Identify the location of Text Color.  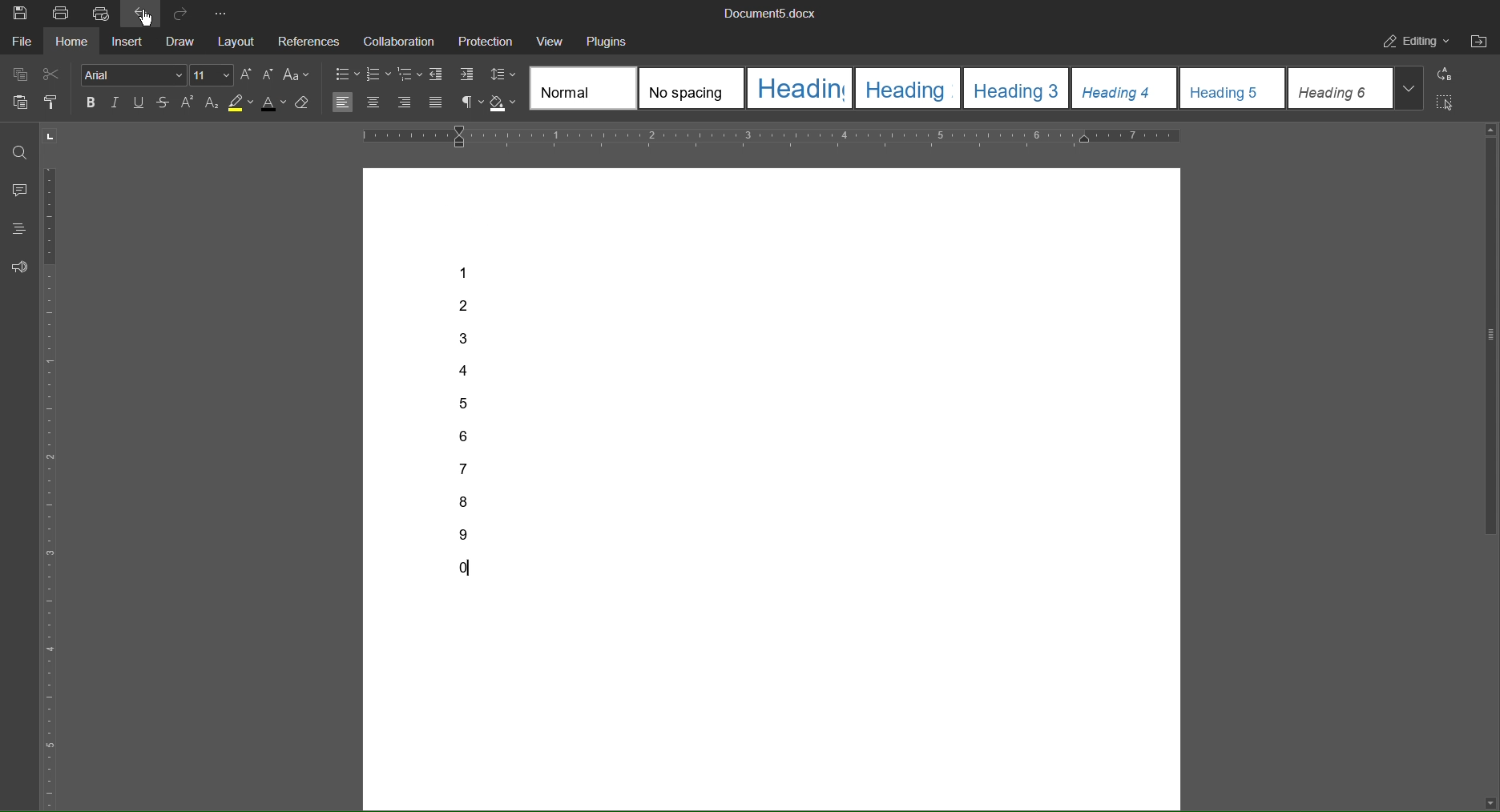
(274, 102).